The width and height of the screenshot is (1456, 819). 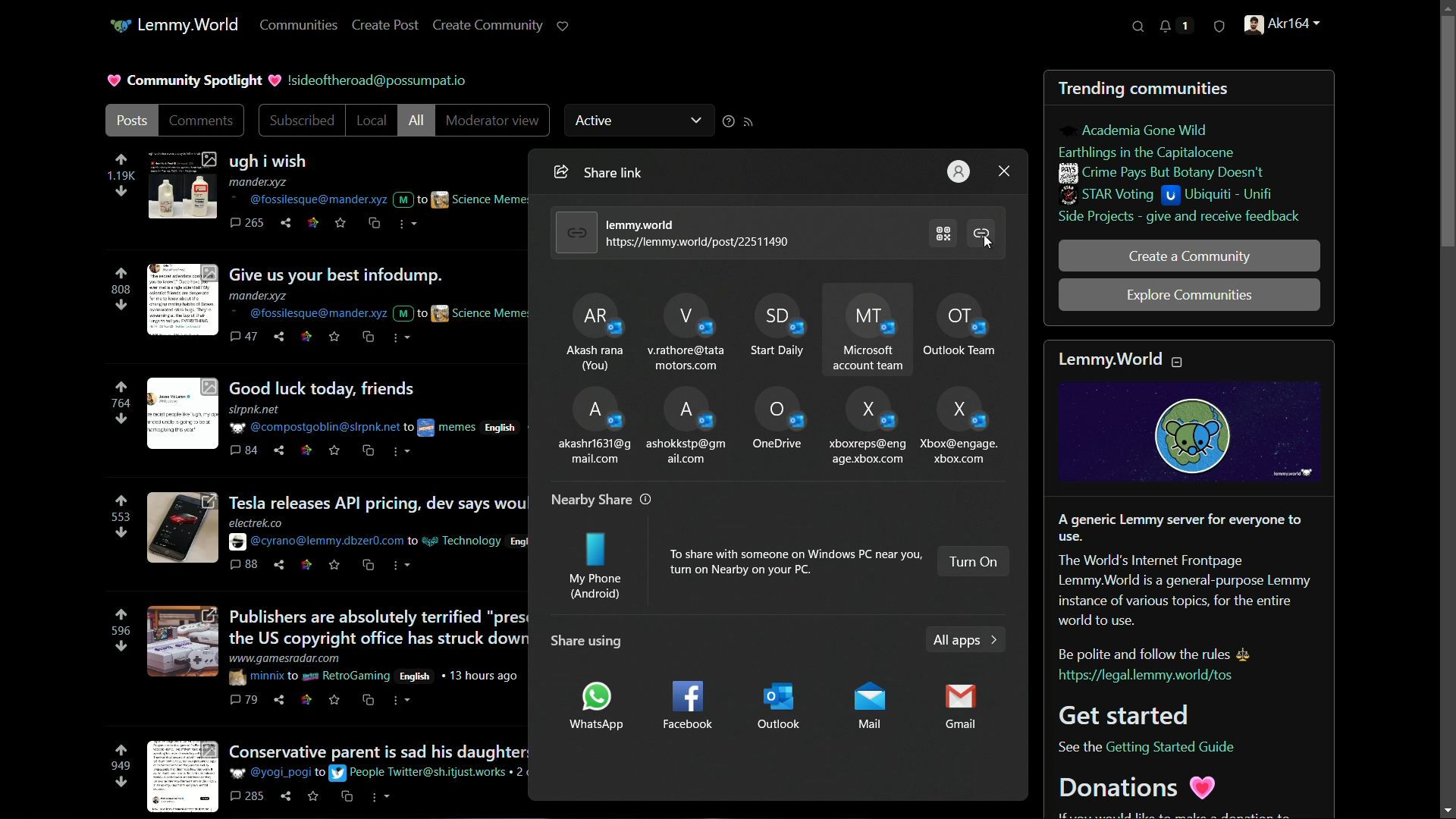 I want to click on mail, so click(x=871, y=705).